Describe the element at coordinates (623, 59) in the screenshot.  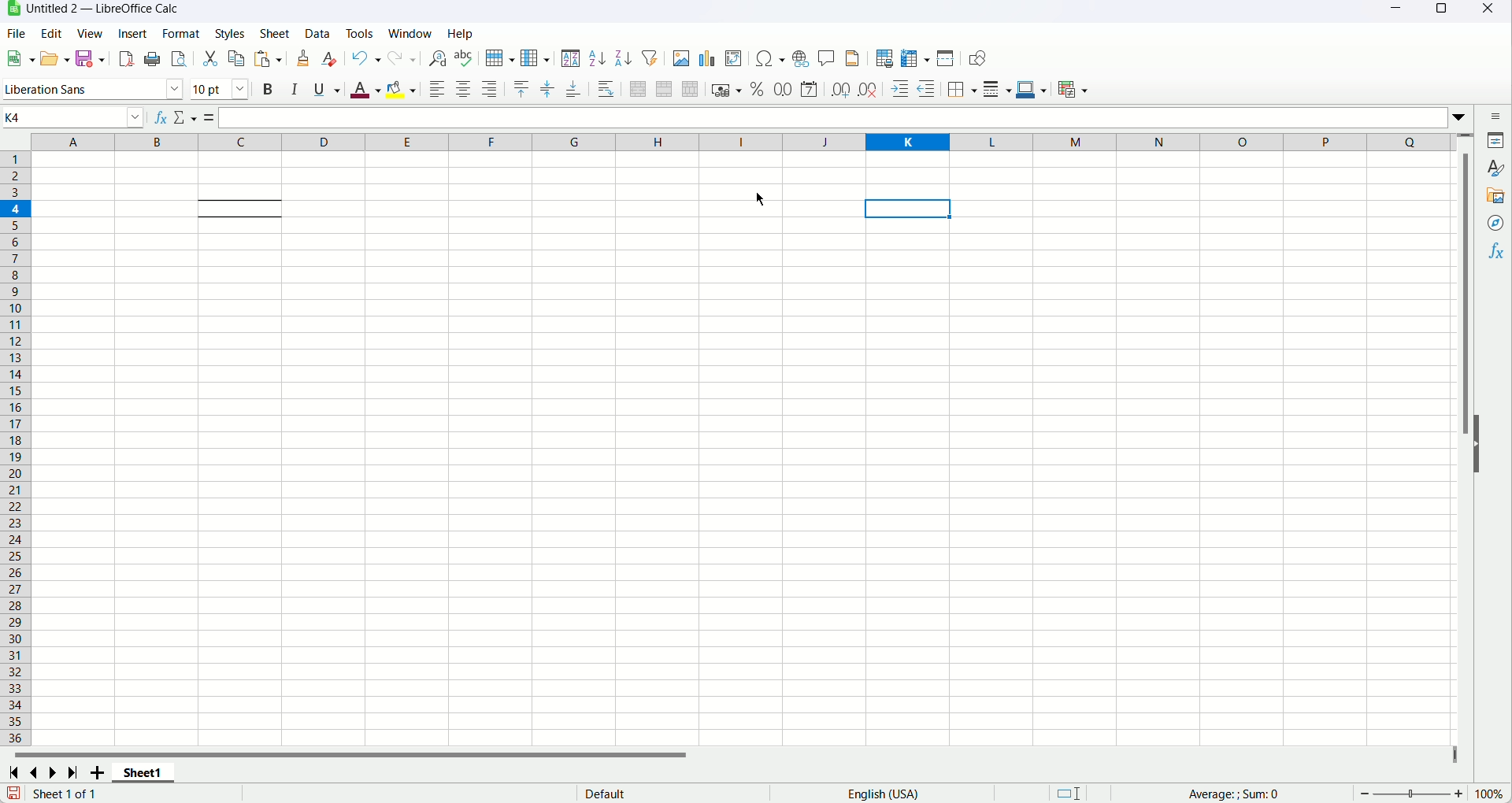
I see `Sort descending` at that location.